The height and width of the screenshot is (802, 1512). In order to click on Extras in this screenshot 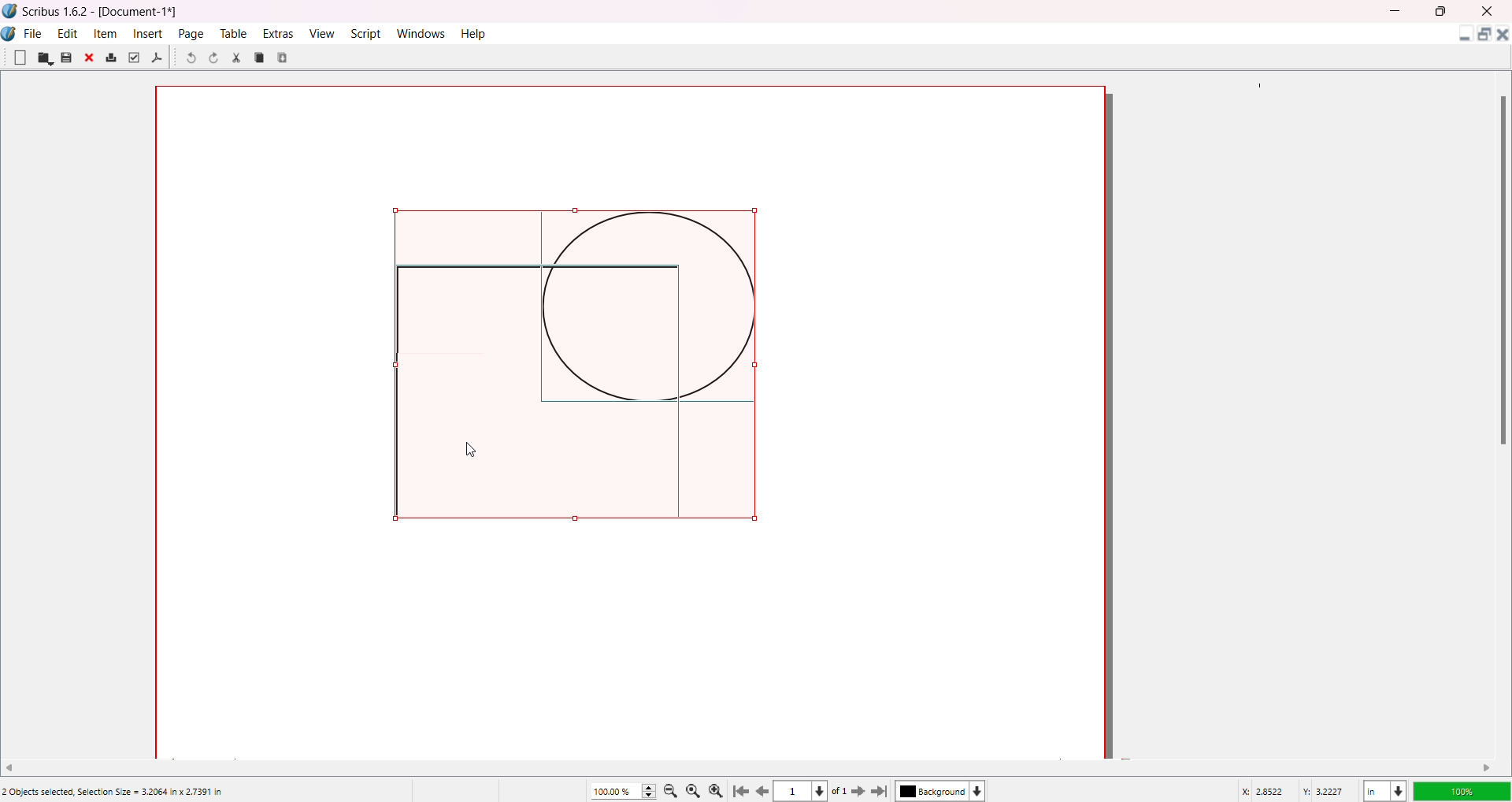, I will do `click(279, 33)`.